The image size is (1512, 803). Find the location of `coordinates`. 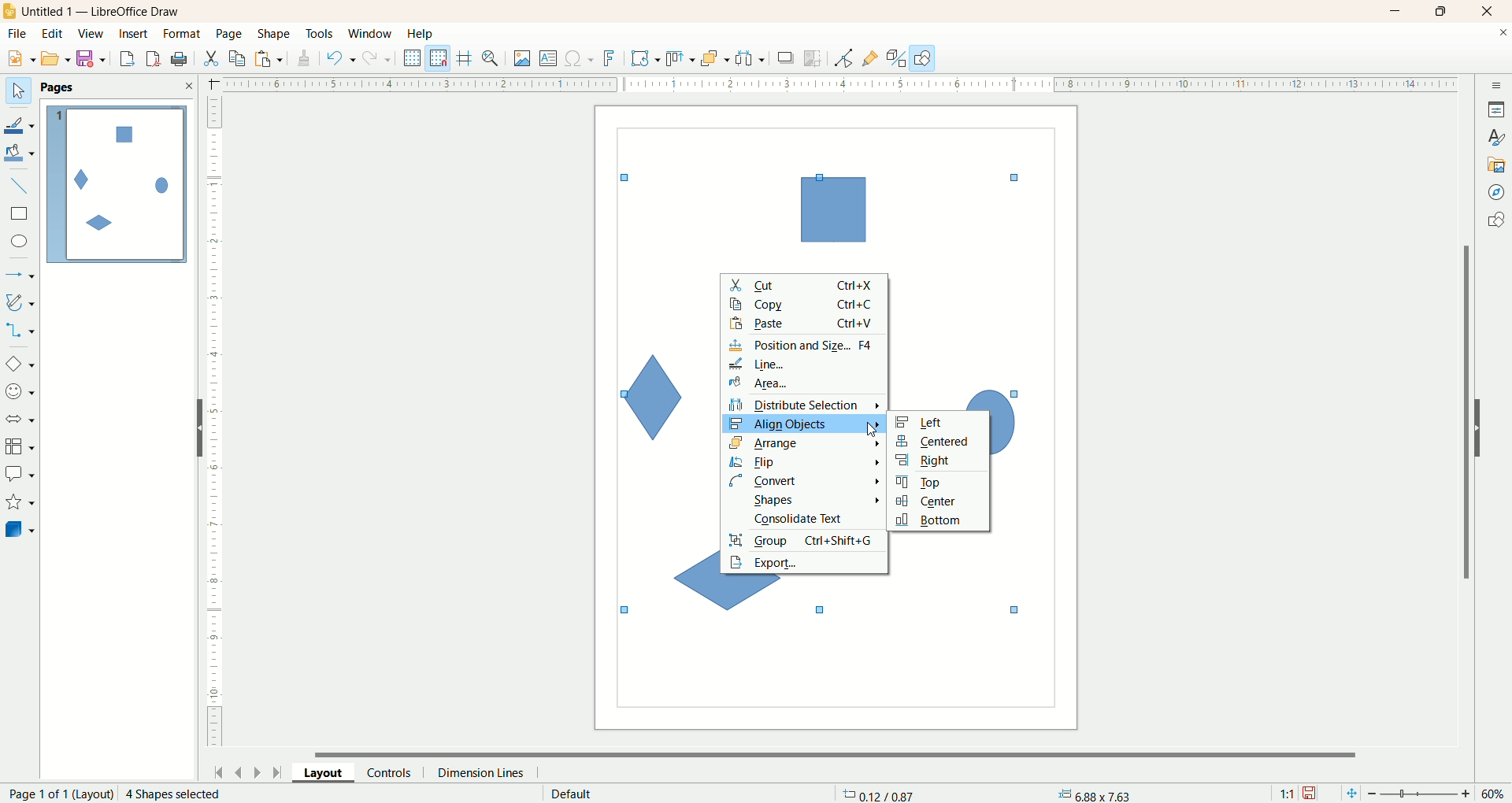

coordinates is located at coordinates (880, 794).